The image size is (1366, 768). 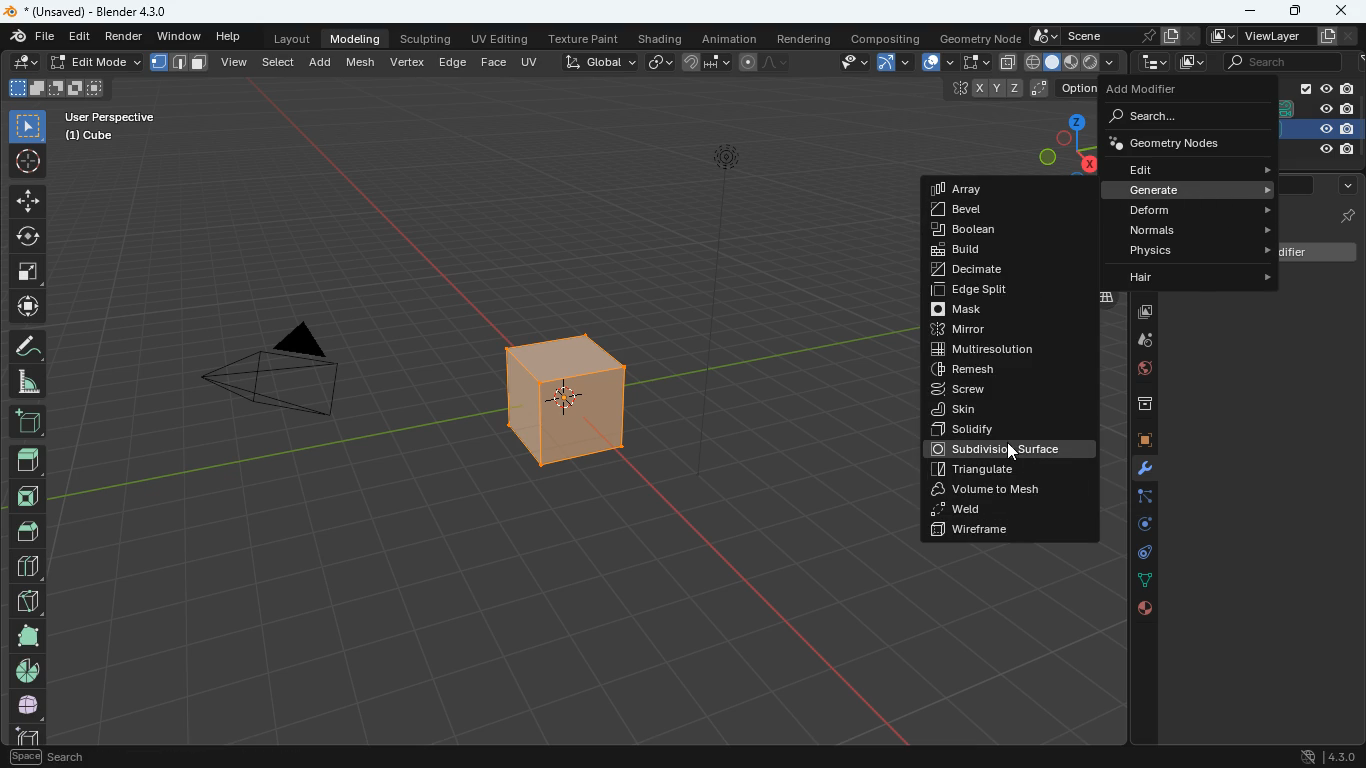 What do you see at coordinates (79, 36) in the screenshot?
I see `edit` at bounding box center [79, 36].